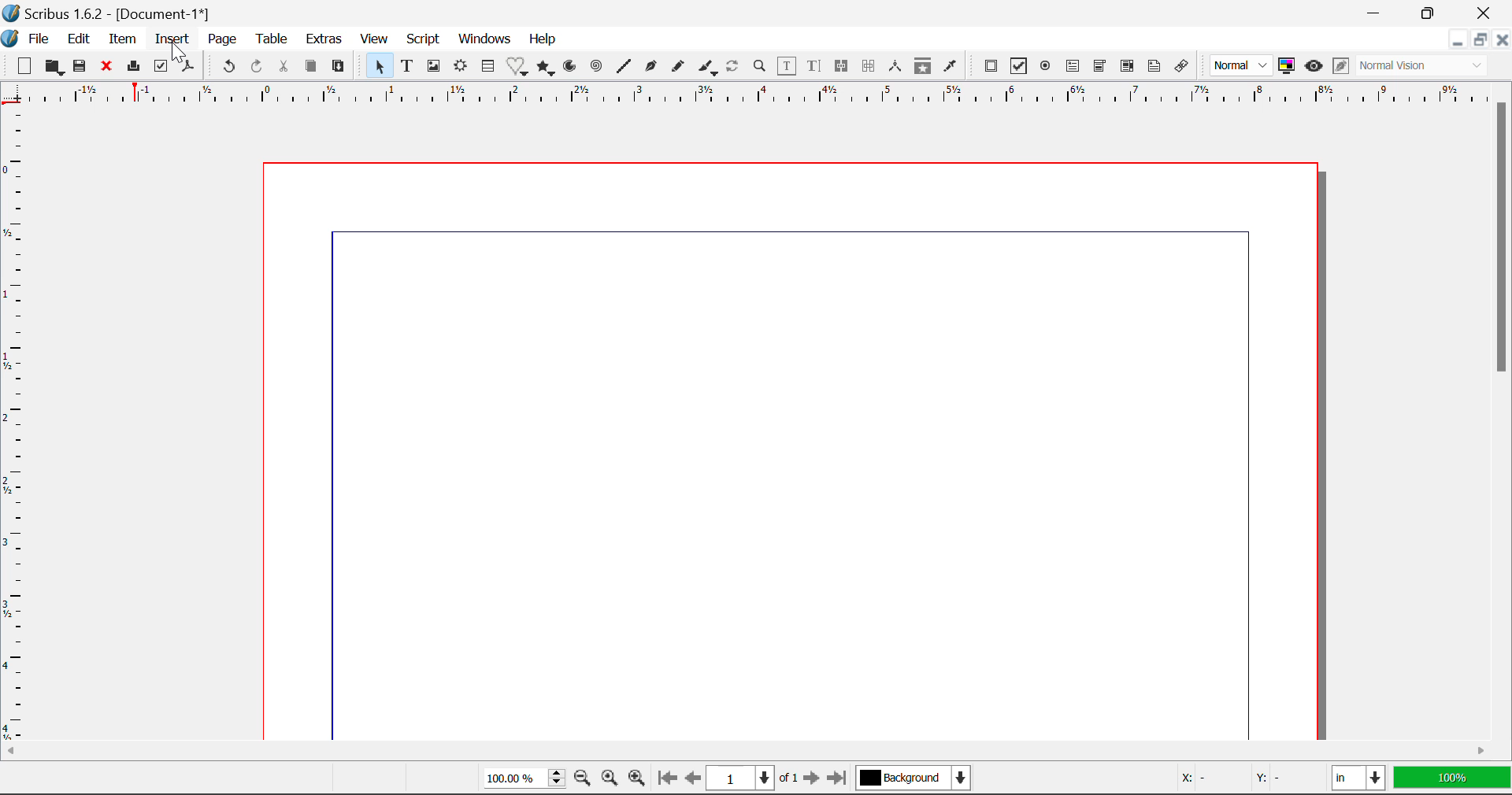 This screenshot has height=795, width=1512. Describe the element at coordinates (520, 780) in the screenshot. I see `Zoom 100%` at that location.